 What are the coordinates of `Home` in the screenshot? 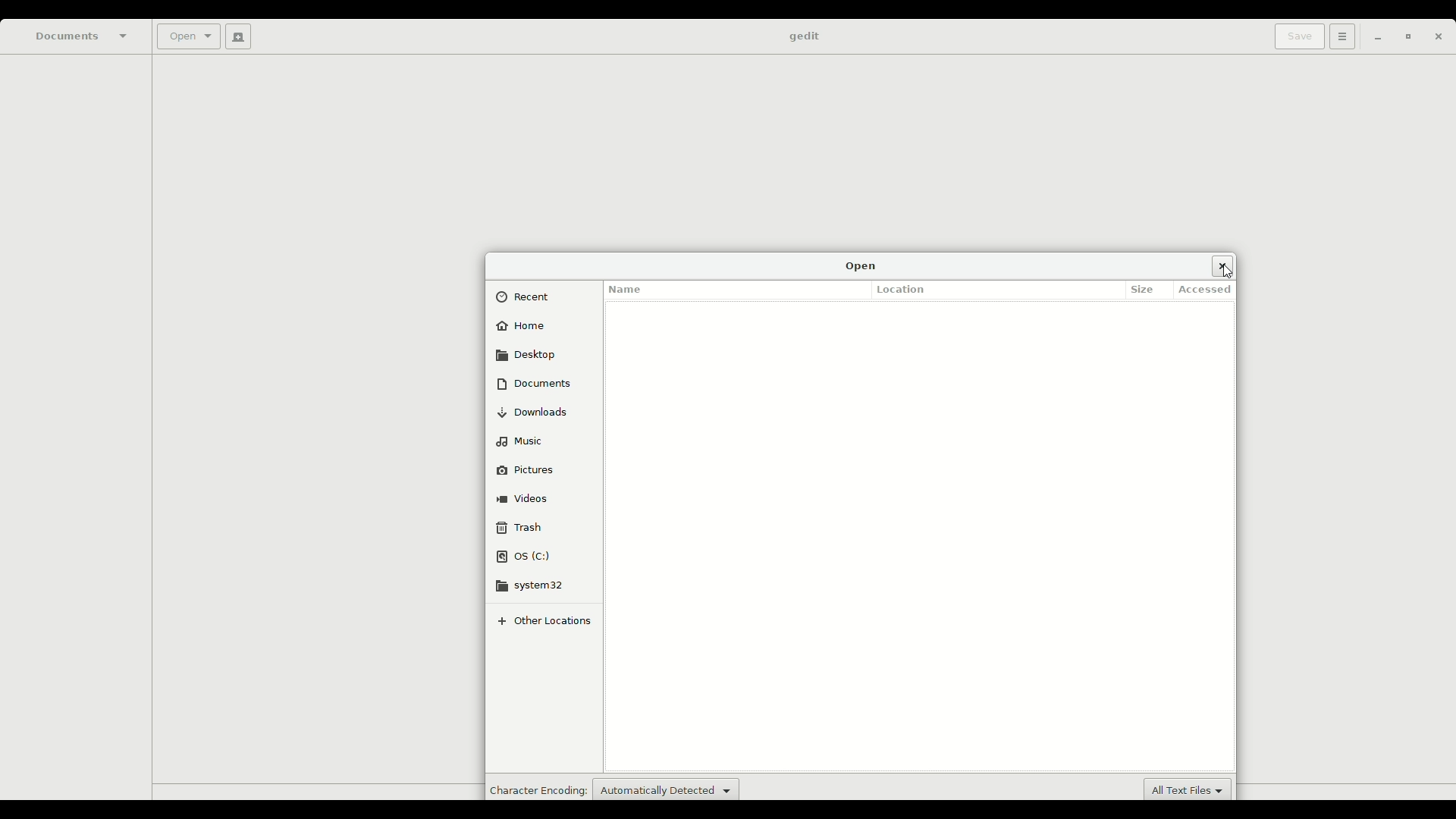 It's located at (523, 328).